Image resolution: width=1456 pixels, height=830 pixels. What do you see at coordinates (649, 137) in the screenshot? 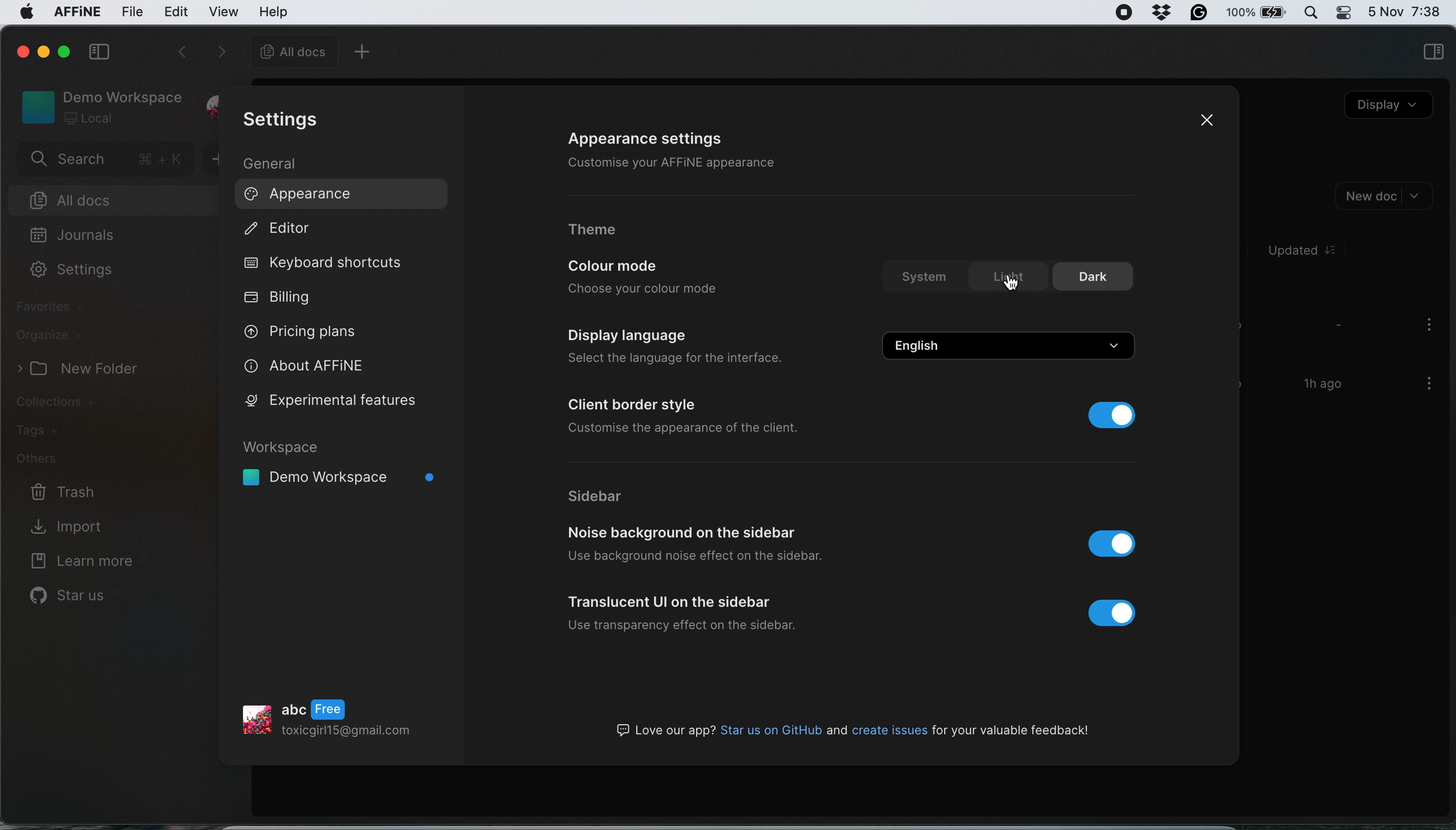
I see `appearance settings` at bounding box center [649, 137].